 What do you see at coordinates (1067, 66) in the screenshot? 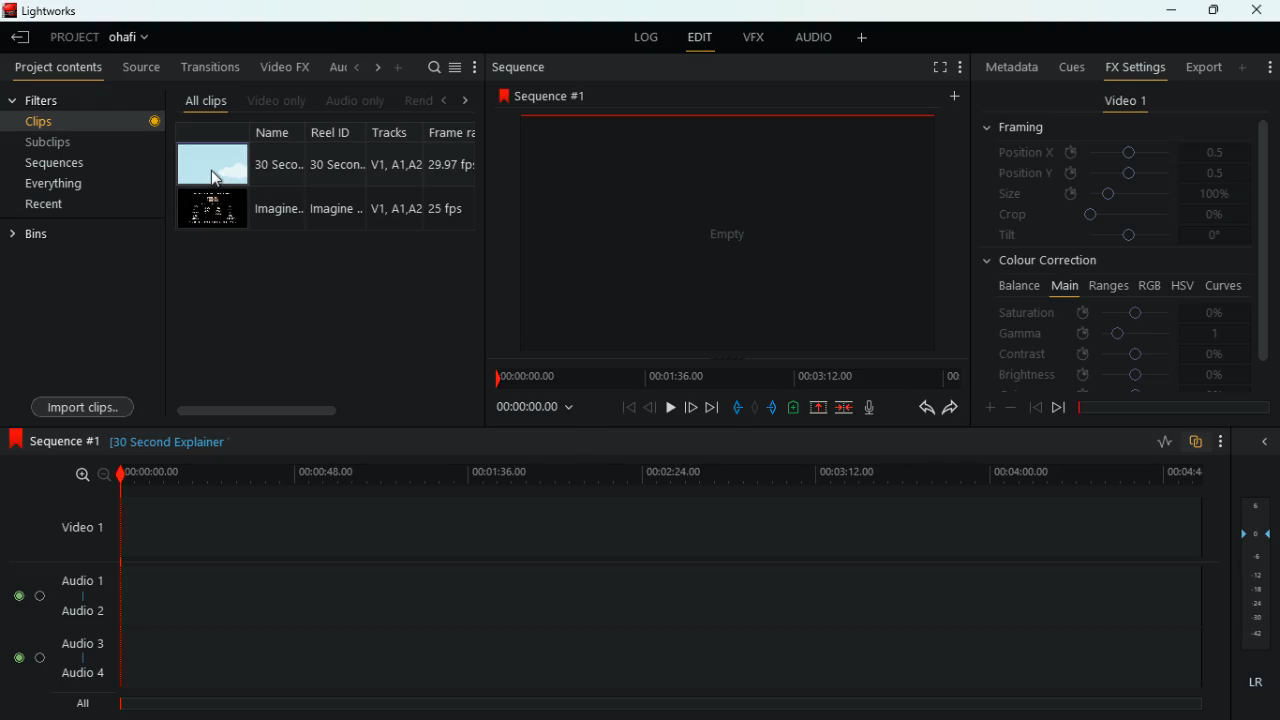
I see `cues` at bounding box center [1067, 66].